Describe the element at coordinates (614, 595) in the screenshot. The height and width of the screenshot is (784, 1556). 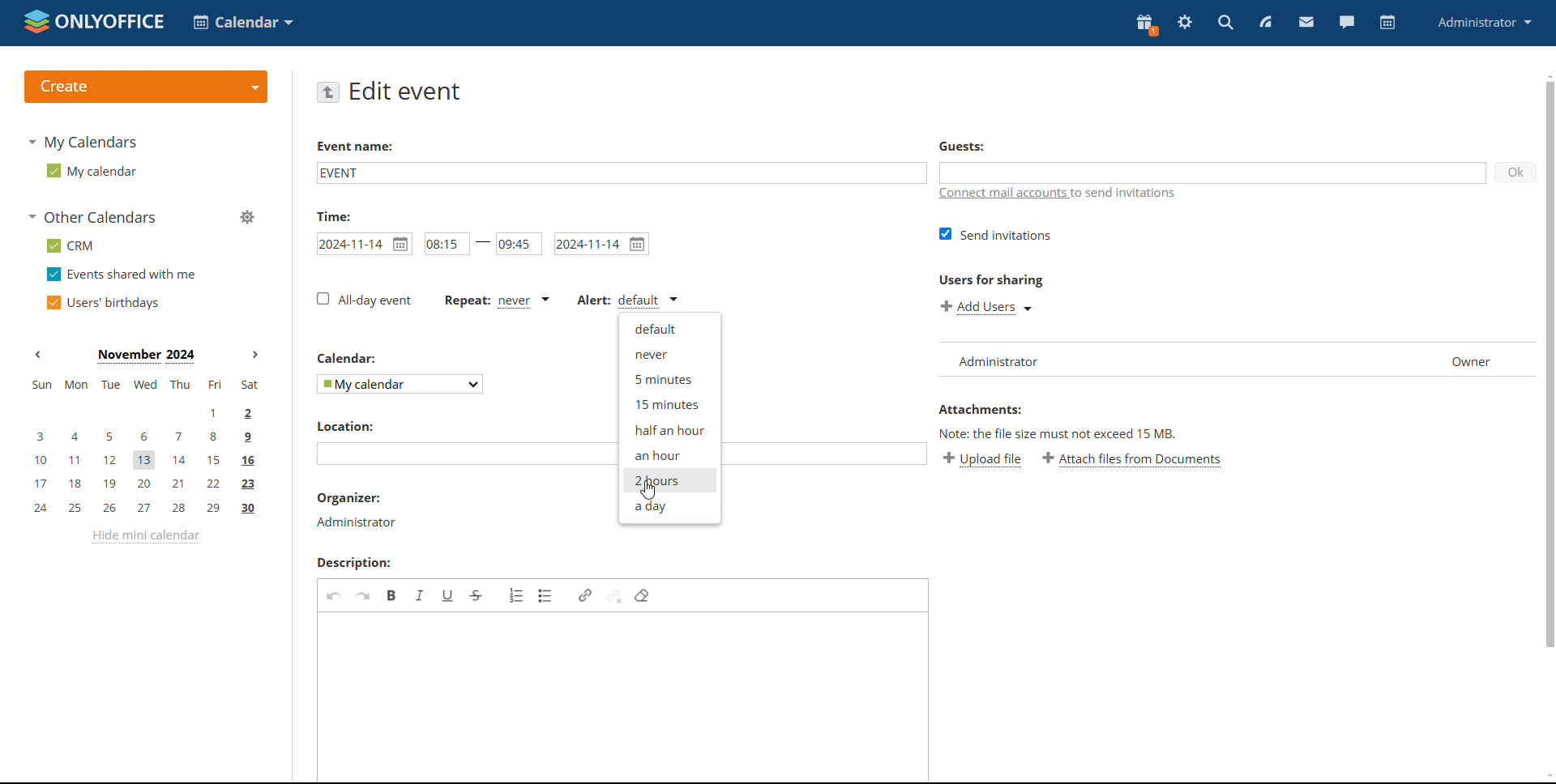
I see `unlink` at that location.